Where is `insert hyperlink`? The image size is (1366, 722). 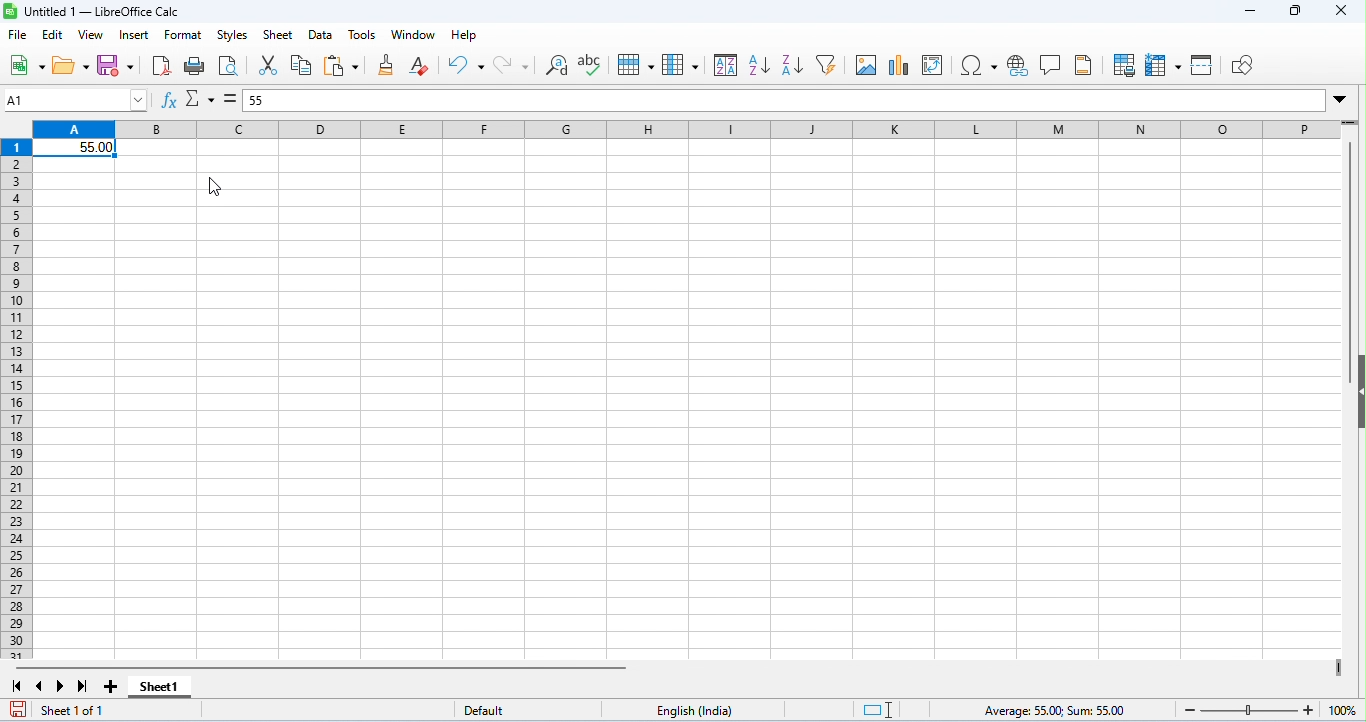
insert hyperlink is located at coordinates (1019, 66).